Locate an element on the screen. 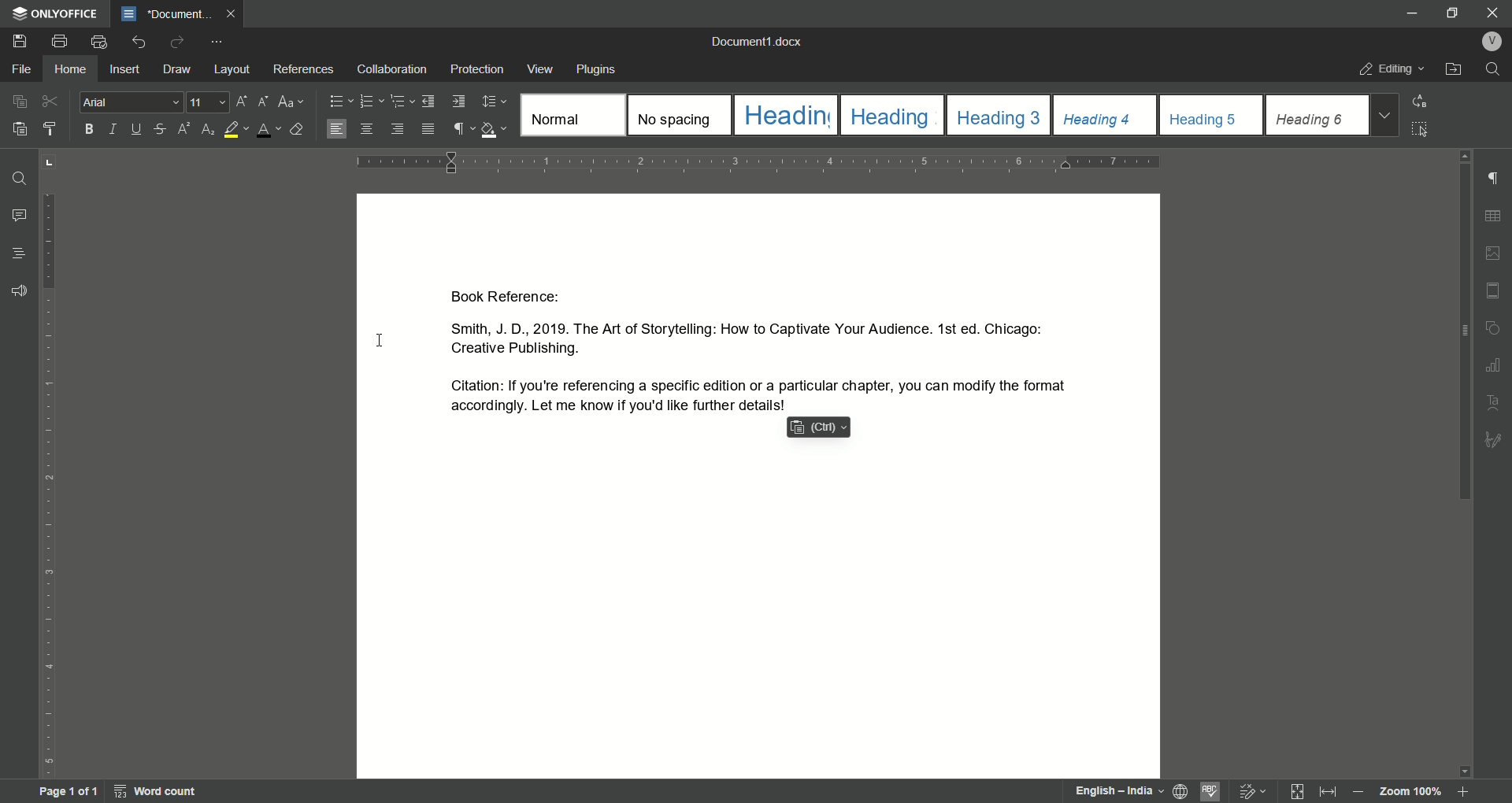 This screenshot has height=803, width=1512. find is located at coordinates (1496, 69).